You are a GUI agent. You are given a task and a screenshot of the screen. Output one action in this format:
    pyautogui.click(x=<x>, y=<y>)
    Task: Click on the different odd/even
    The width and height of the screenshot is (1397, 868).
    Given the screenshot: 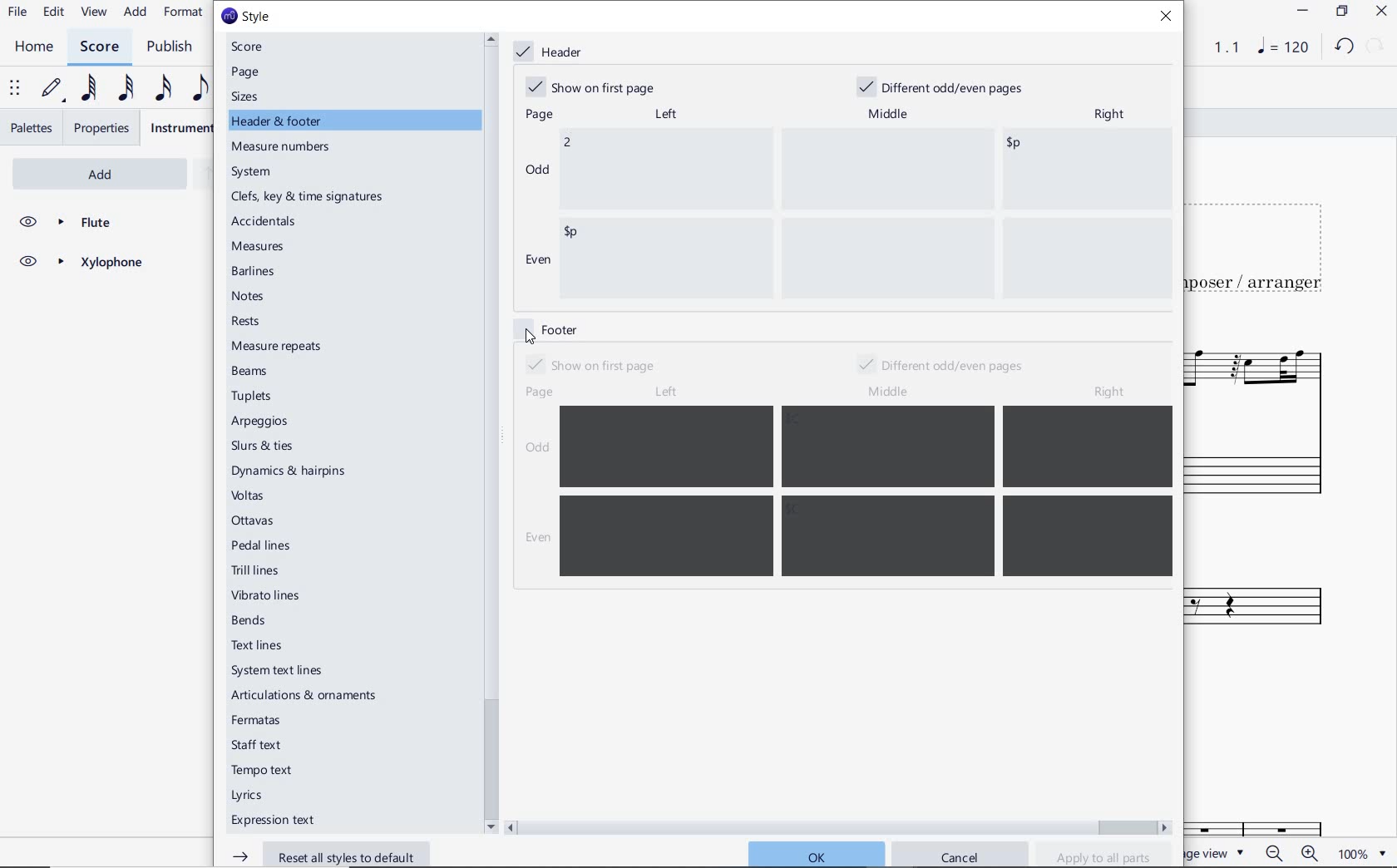 What is the action you would take?
    pyautogui.click(x=942, y=367)
    